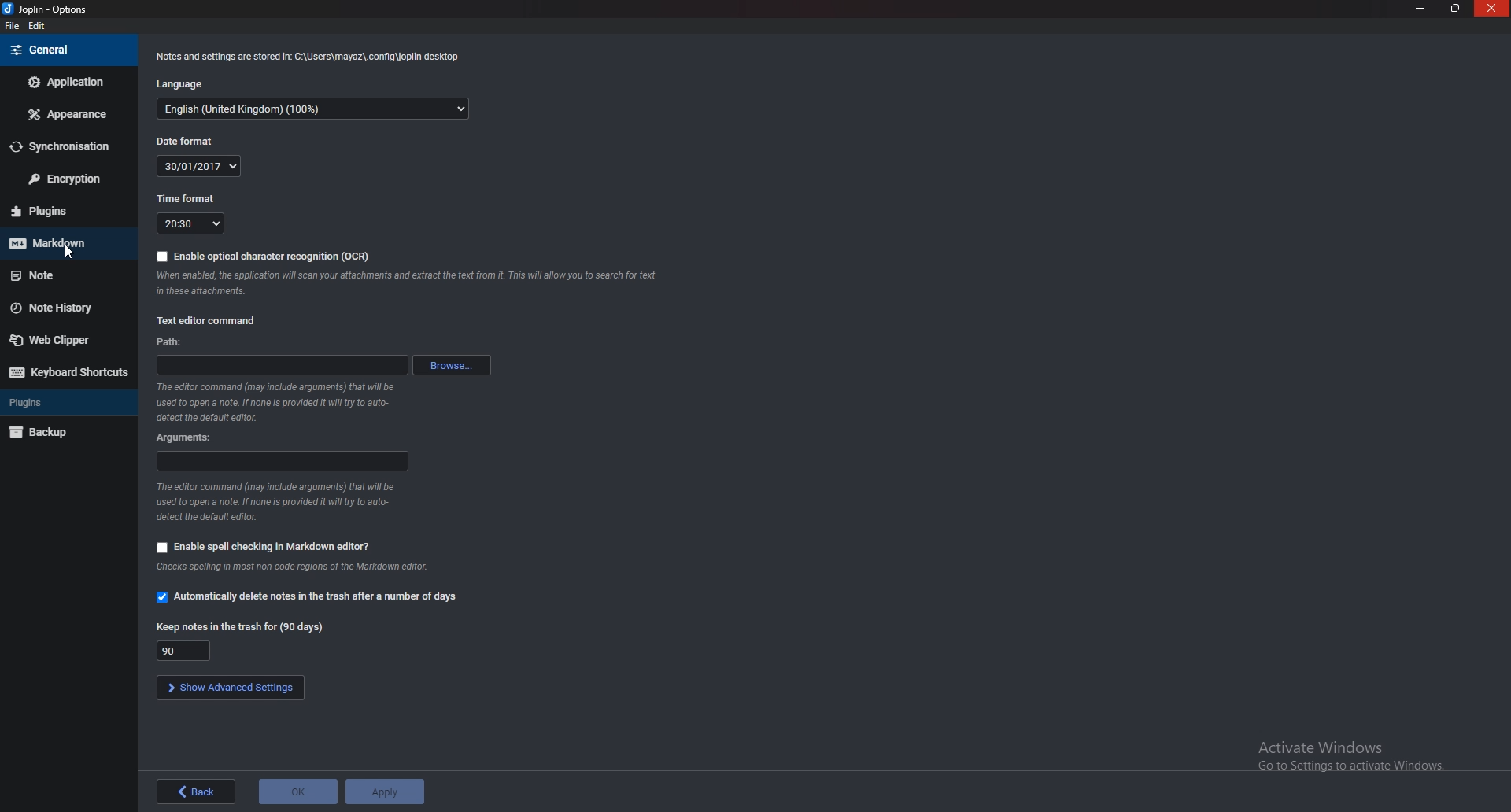 The height and width of the screenshot is (812, 1511). Describe the element at coordinates (307, 596) in the screenshot. I see `Automatically delete notes` at that location.